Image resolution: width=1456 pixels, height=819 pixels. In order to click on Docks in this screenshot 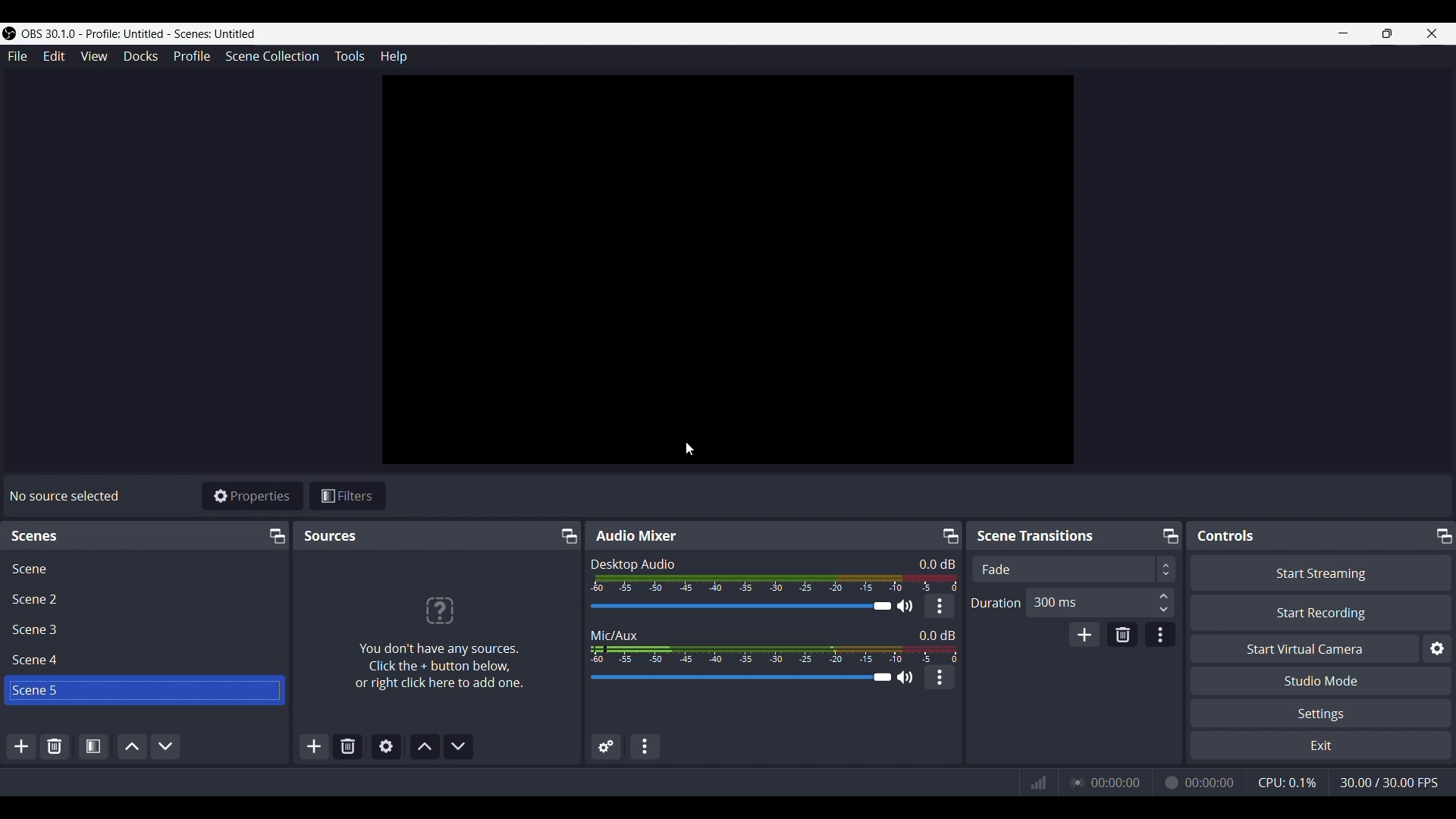, I will do `click(140, 56)`.